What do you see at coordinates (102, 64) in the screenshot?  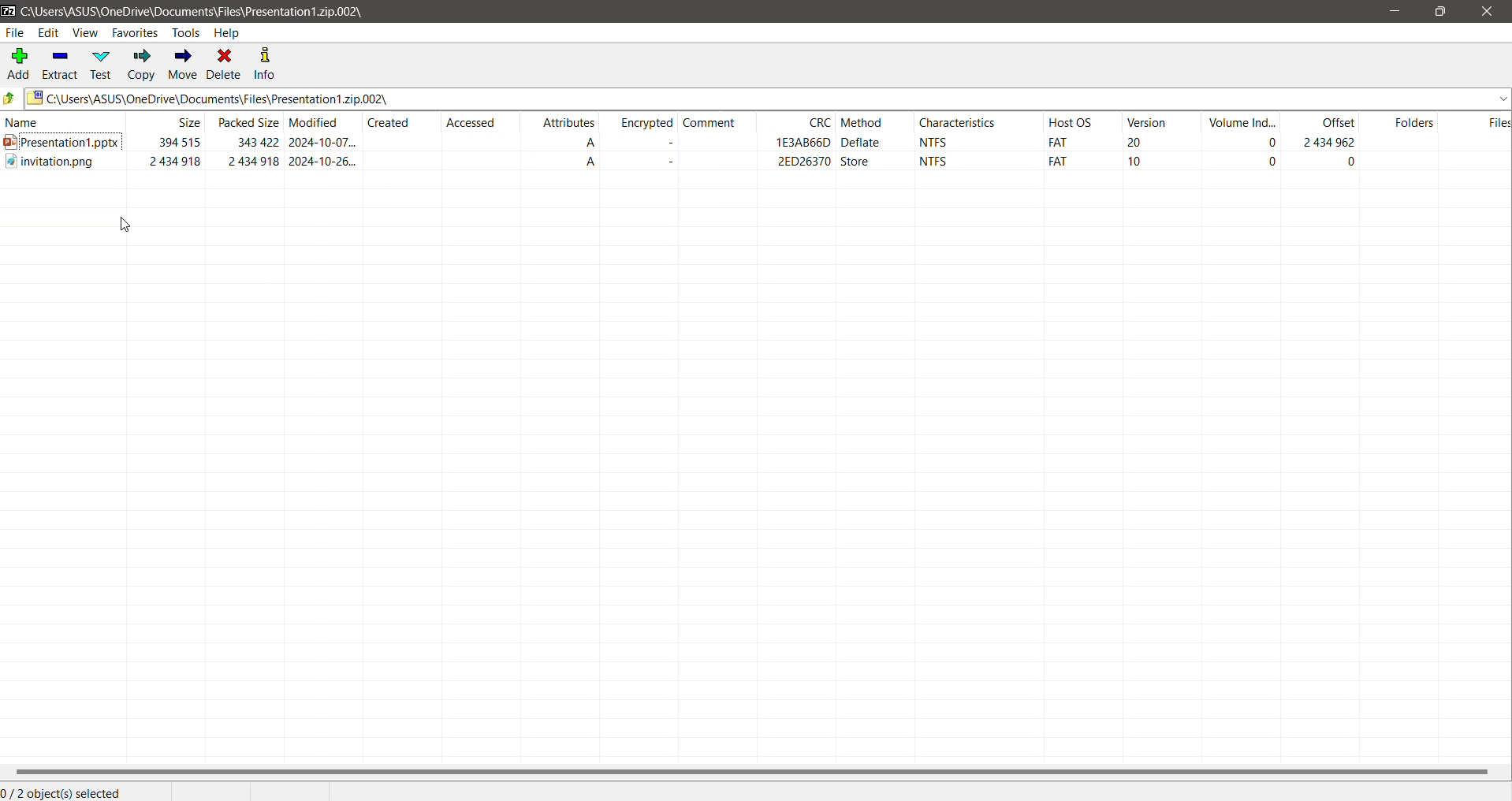 I see `Test` at bounding box center [102, 64].